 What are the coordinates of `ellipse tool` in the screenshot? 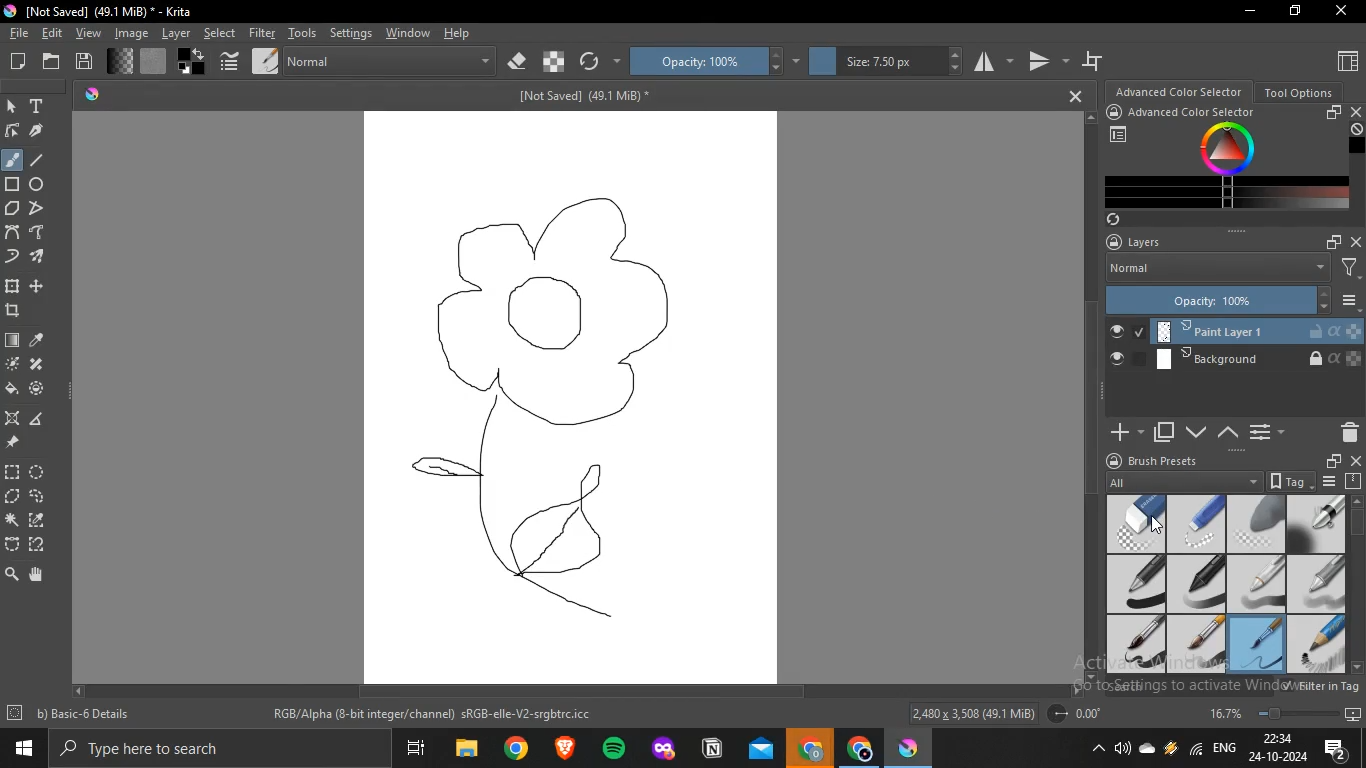 It's located at (38, 185).